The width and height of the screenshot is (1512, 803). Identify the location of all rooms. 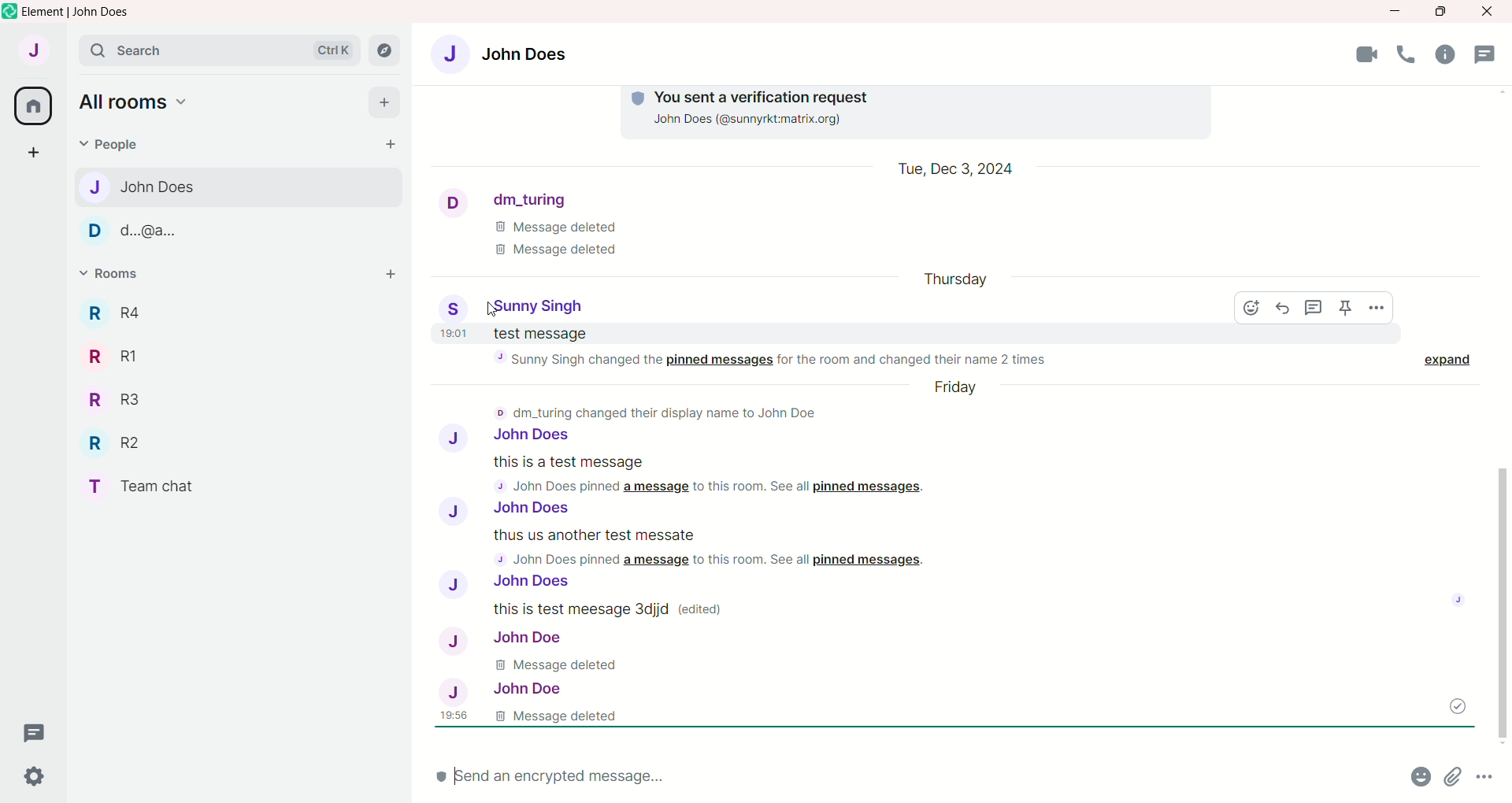
(30, 105).